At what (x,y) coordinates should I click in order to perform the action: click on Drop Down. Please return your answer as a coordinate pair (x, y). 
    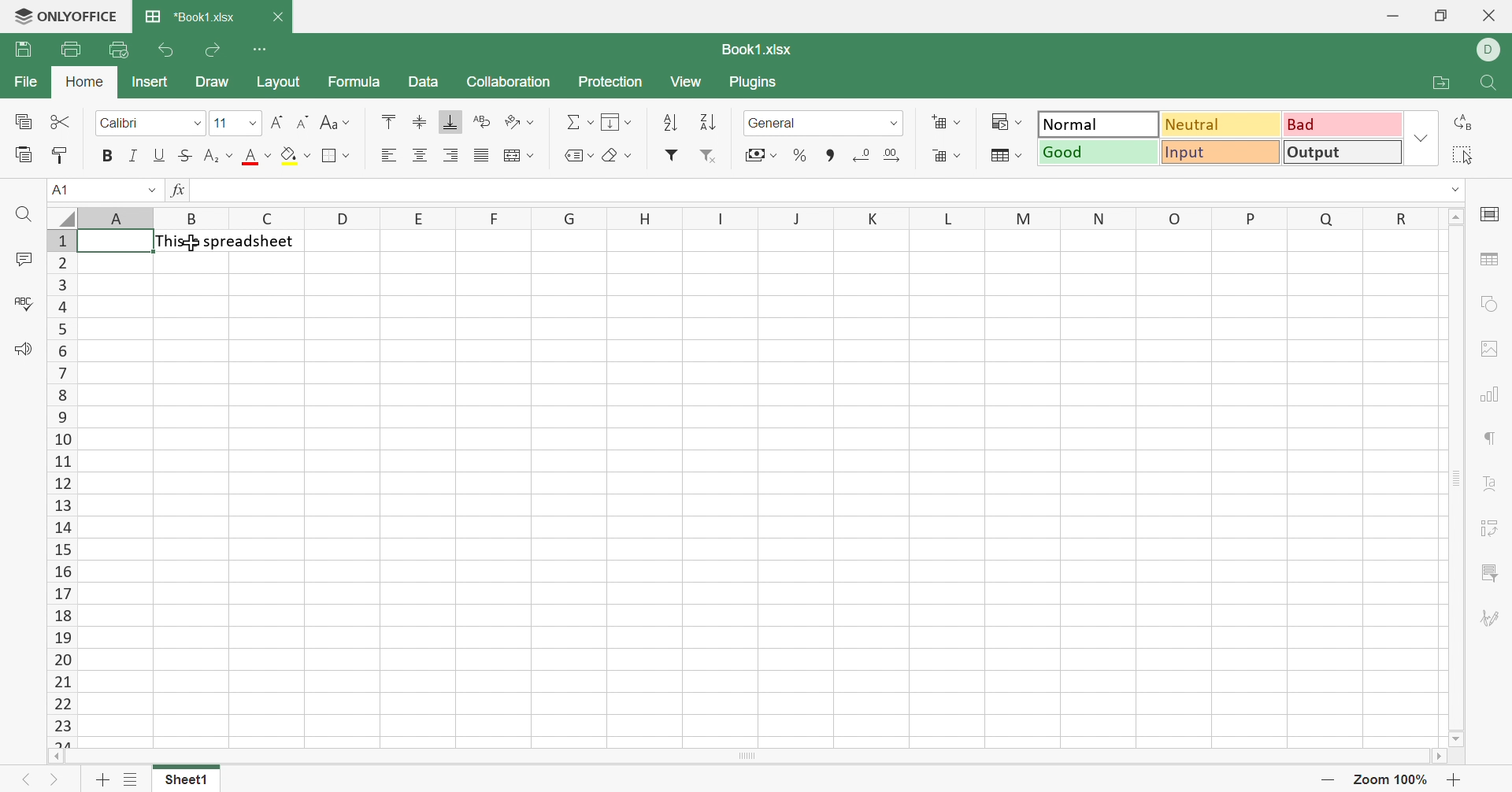
    Looking at the image, I should click on (627, 154).